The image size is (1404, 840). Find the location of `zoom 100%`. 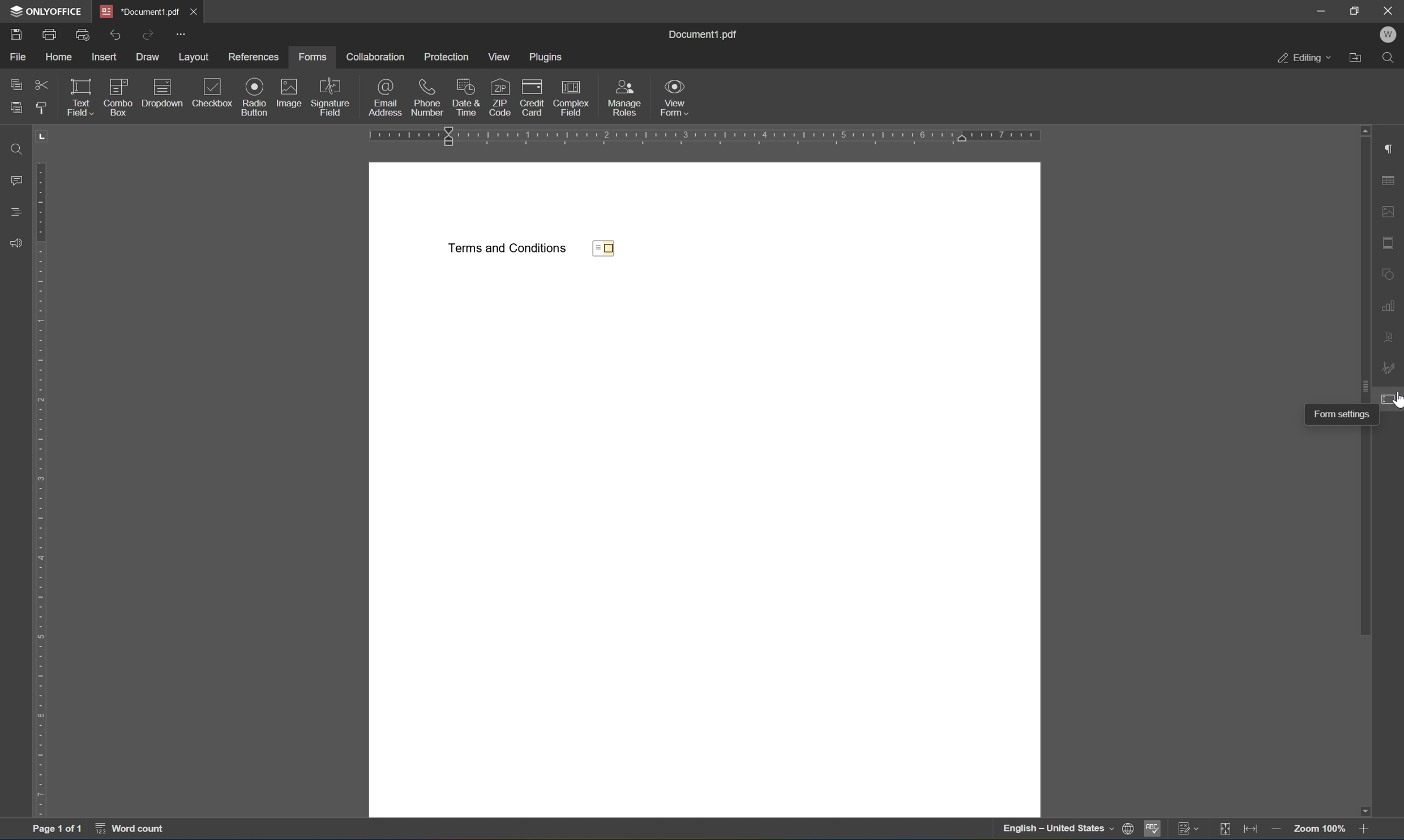

zoom 100% is located at coordinates (1321, 830).